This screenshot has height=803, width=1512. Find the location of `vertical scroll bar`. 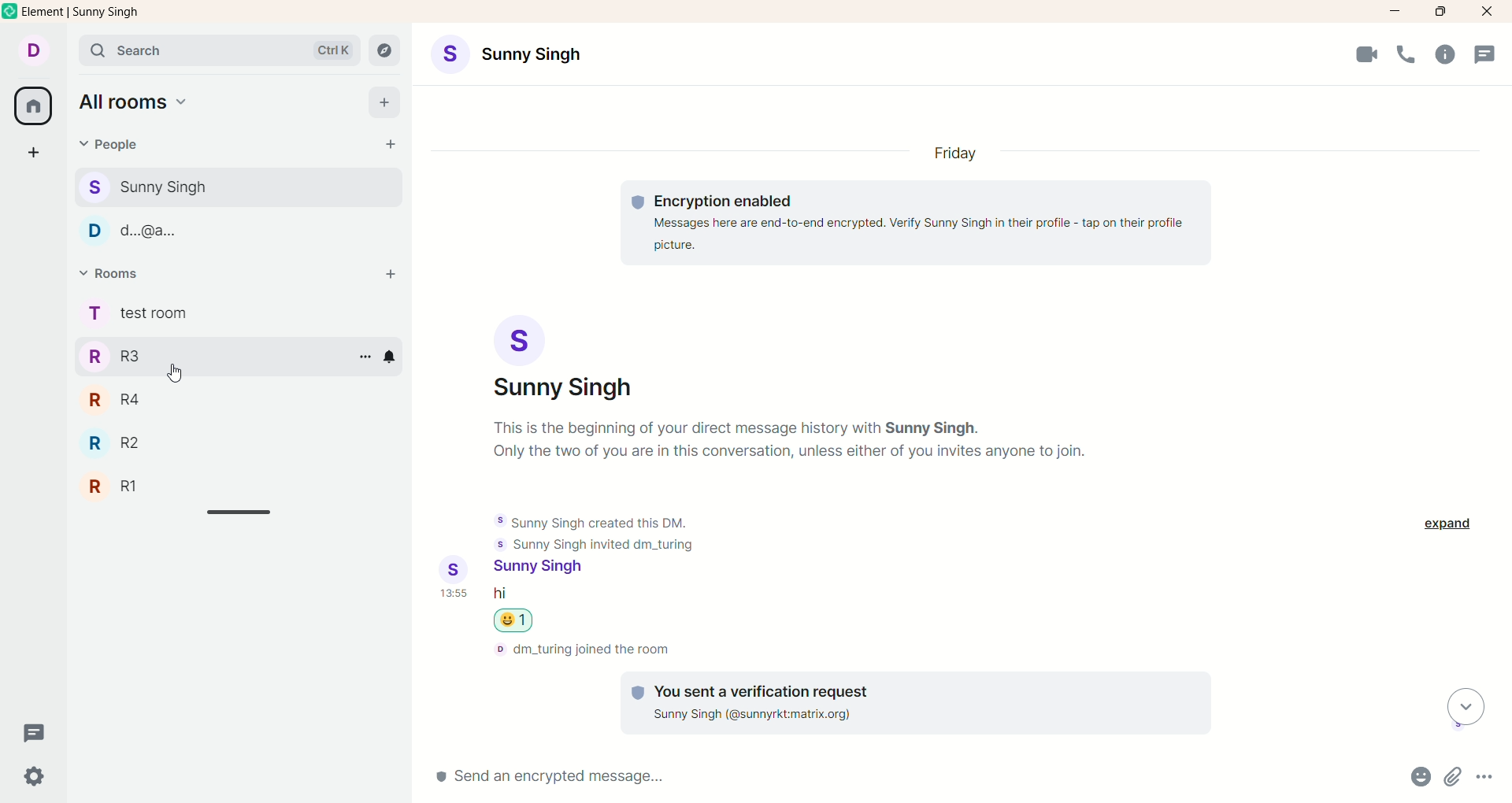

vertical scroll bar is located at coordinates (1503, 420).